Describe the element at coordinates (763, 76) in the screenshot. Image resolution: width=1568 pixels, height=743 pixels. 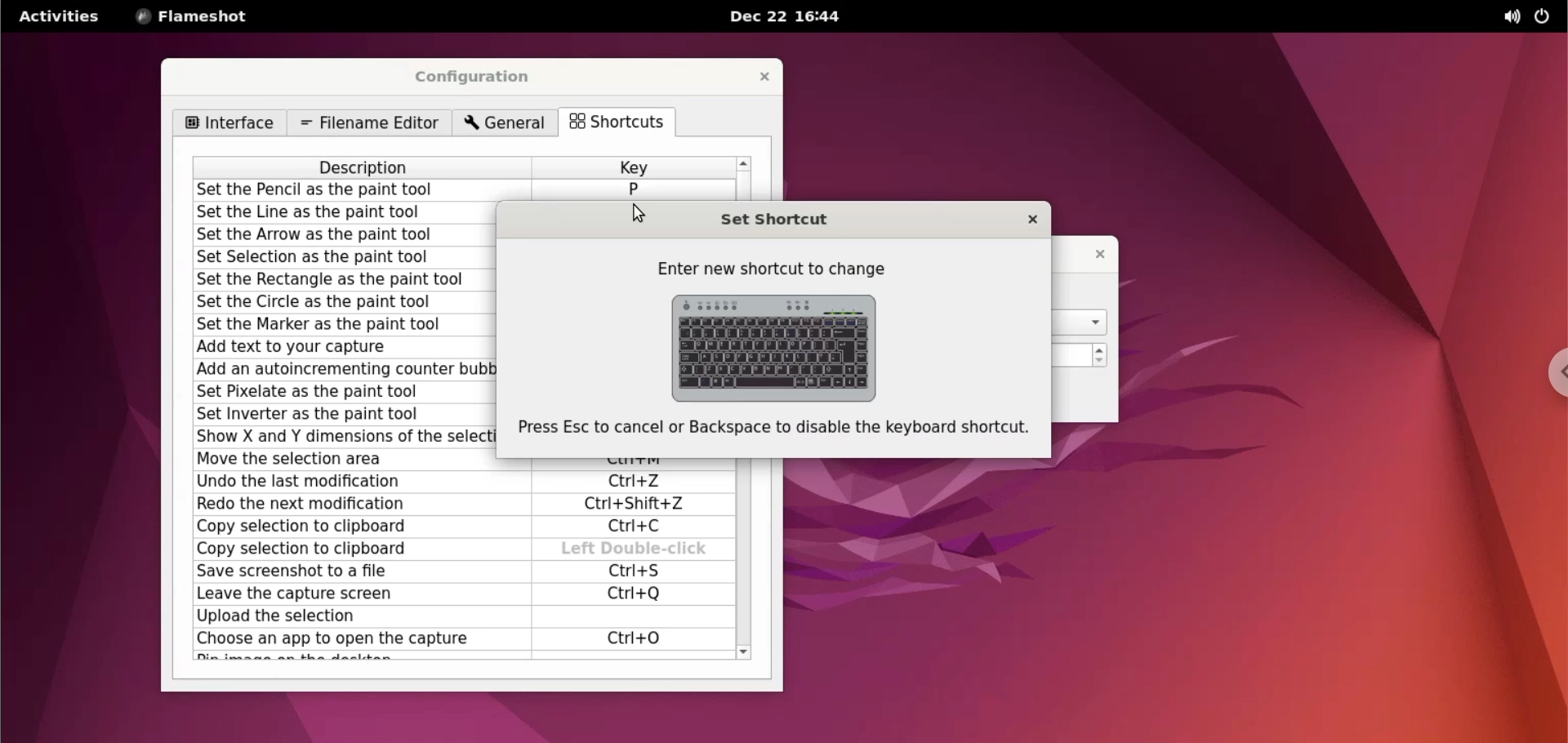
I see `close` at that location.